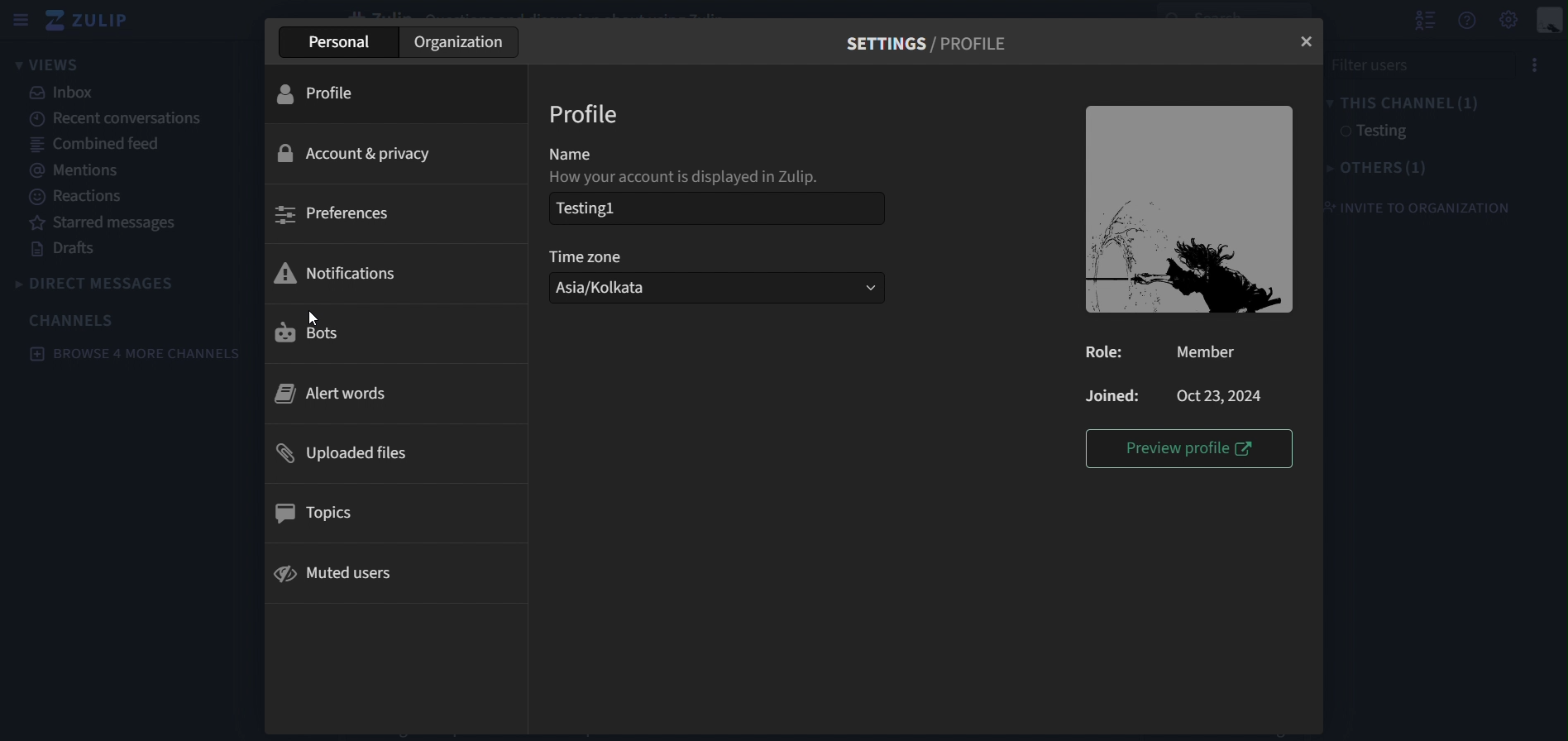 Image resolution: width=1568 pixels, height=741 pixels. I want to click on alert words, so click(341, 392).